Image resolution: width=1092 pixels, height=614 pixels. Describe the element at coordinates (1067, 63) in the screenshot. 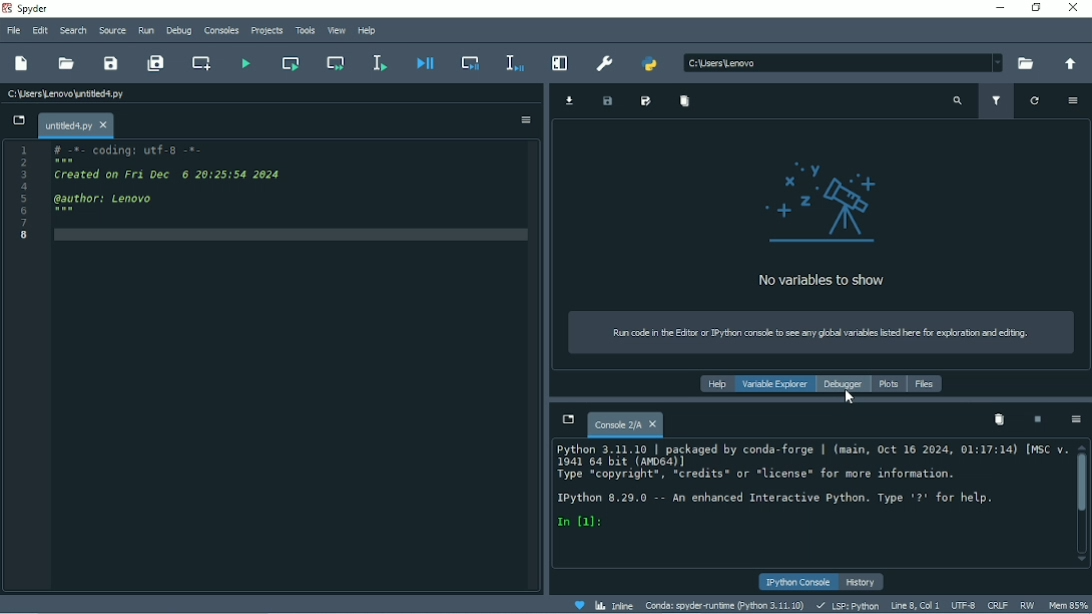

I see `Change to parent directory` at that location.